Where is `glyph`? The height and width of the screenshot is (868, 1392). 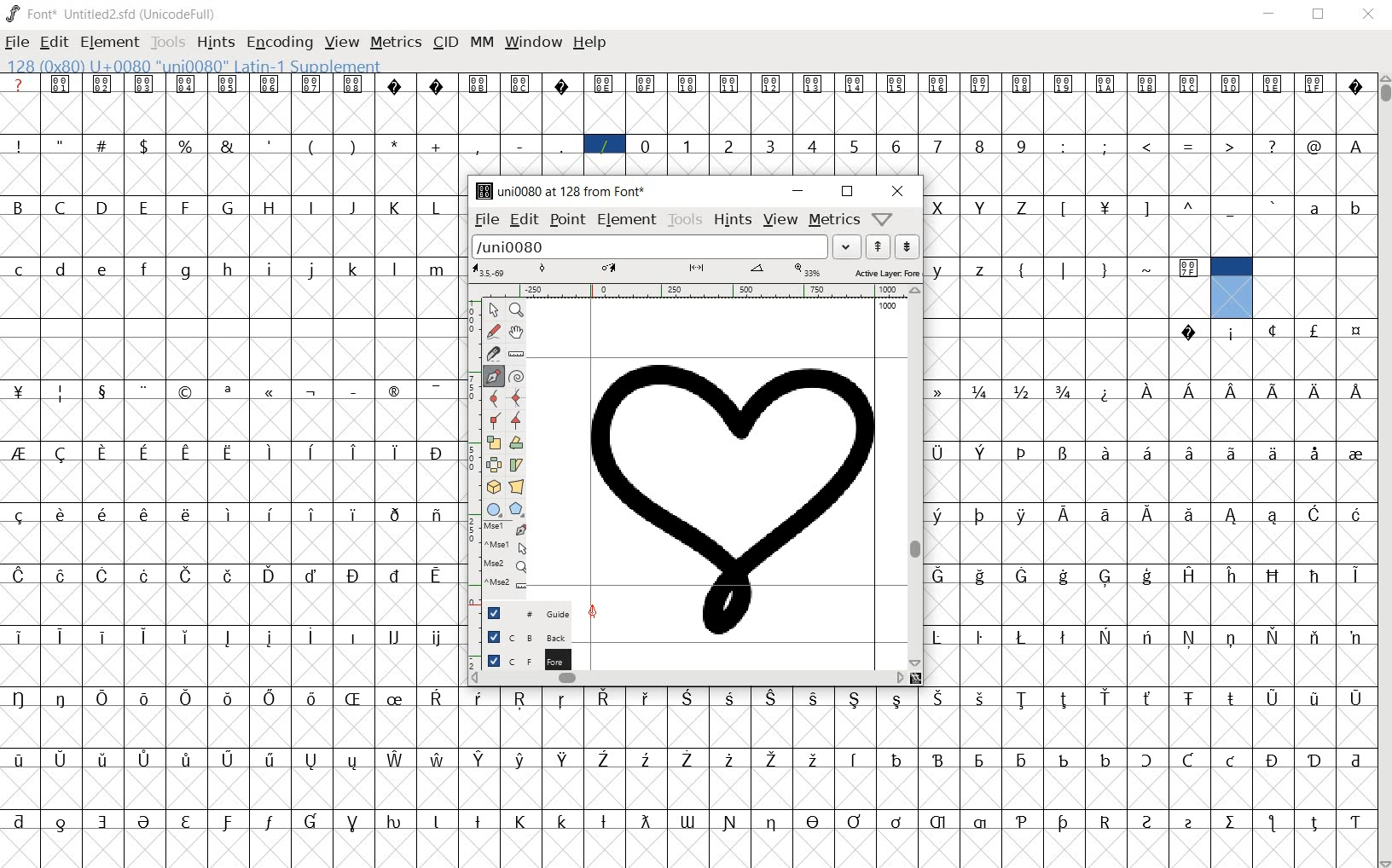 glyph is located at coordinates (1271, 823).